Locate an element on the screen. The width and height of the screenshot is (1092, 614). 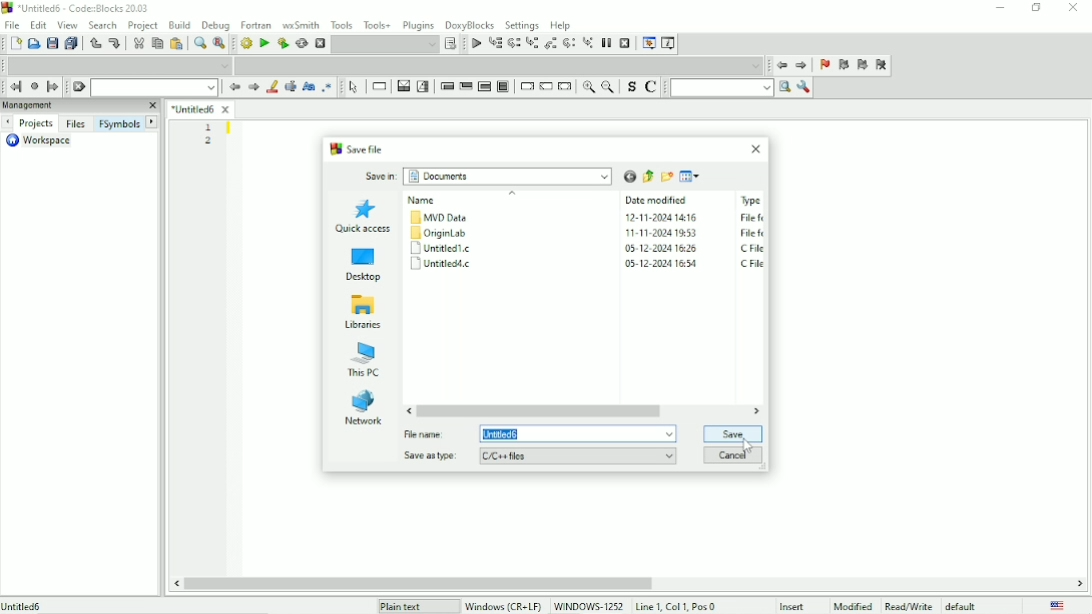
Prev is located at coordinates (234, 88).